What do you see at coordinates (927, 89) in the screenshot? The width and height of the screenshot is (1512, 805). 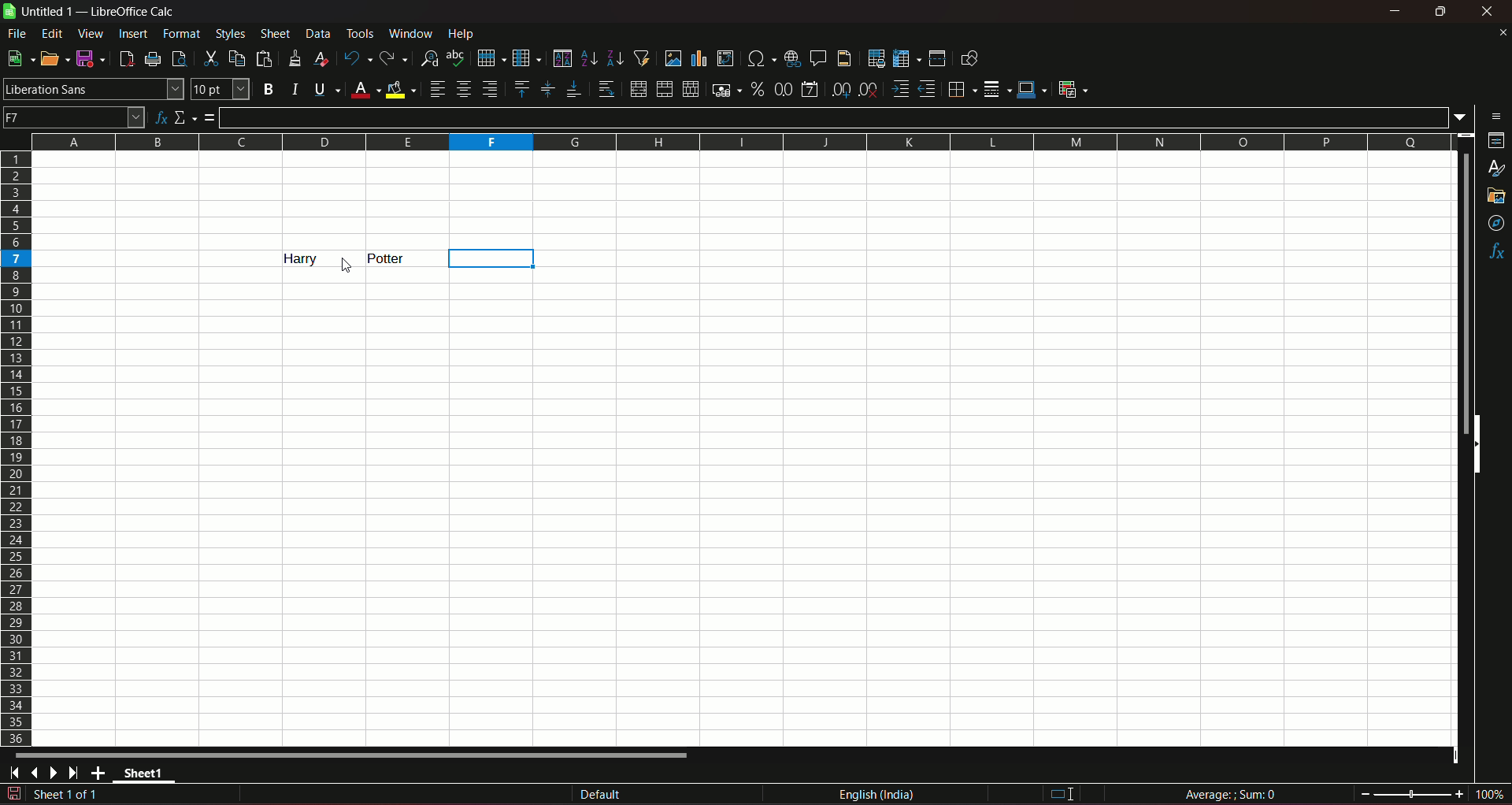 I see `decrease indent` at bounding box center [927, 89].